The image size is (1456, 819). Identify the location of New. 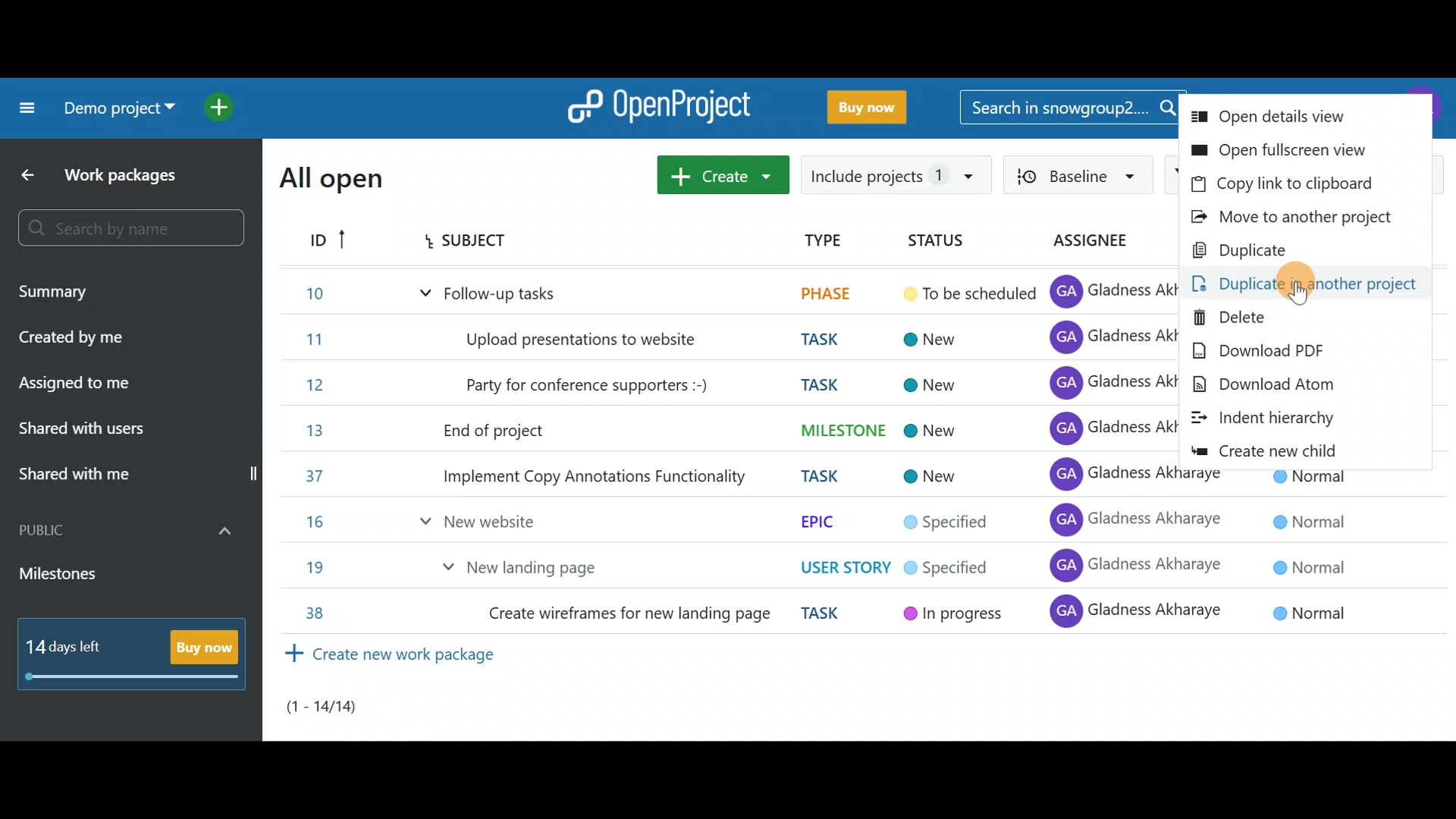
(937, 478).